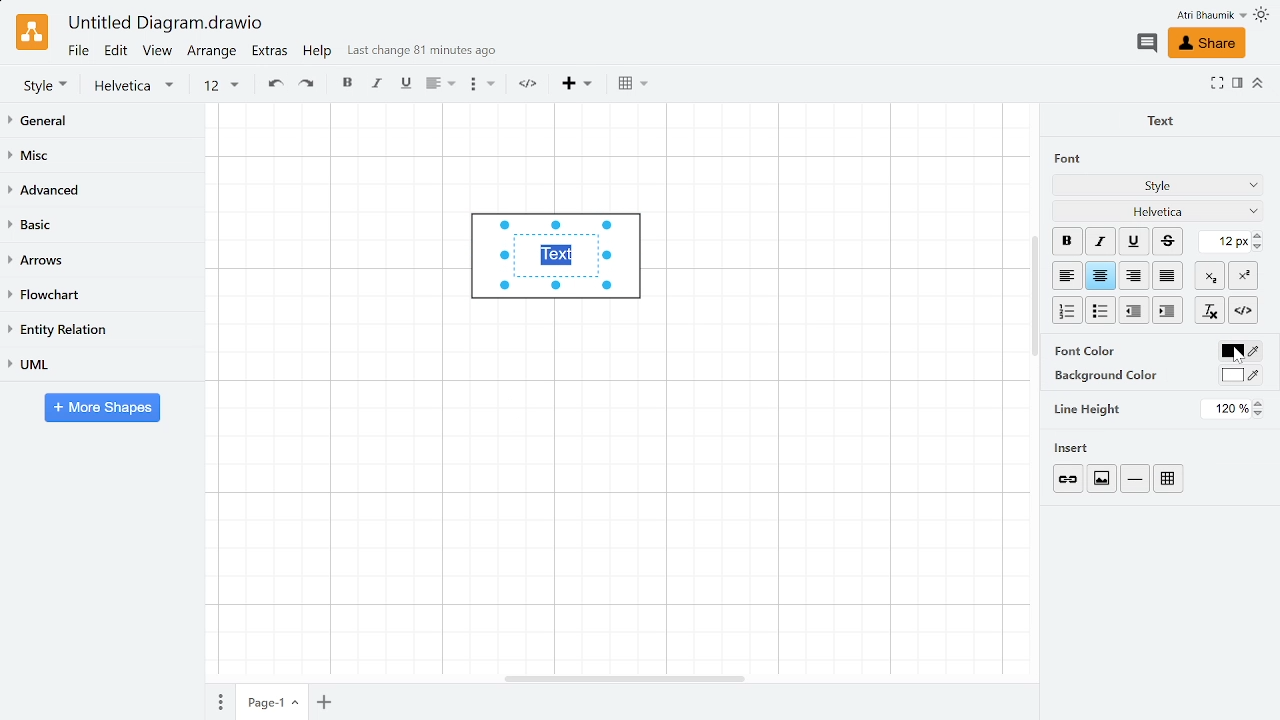 Image resolution: width=1280 pixels, height=720 pixels. What do you see at coordinates (1217, 82) in the screenshot?
I see `Expand` at bounding box center [1217, 82].